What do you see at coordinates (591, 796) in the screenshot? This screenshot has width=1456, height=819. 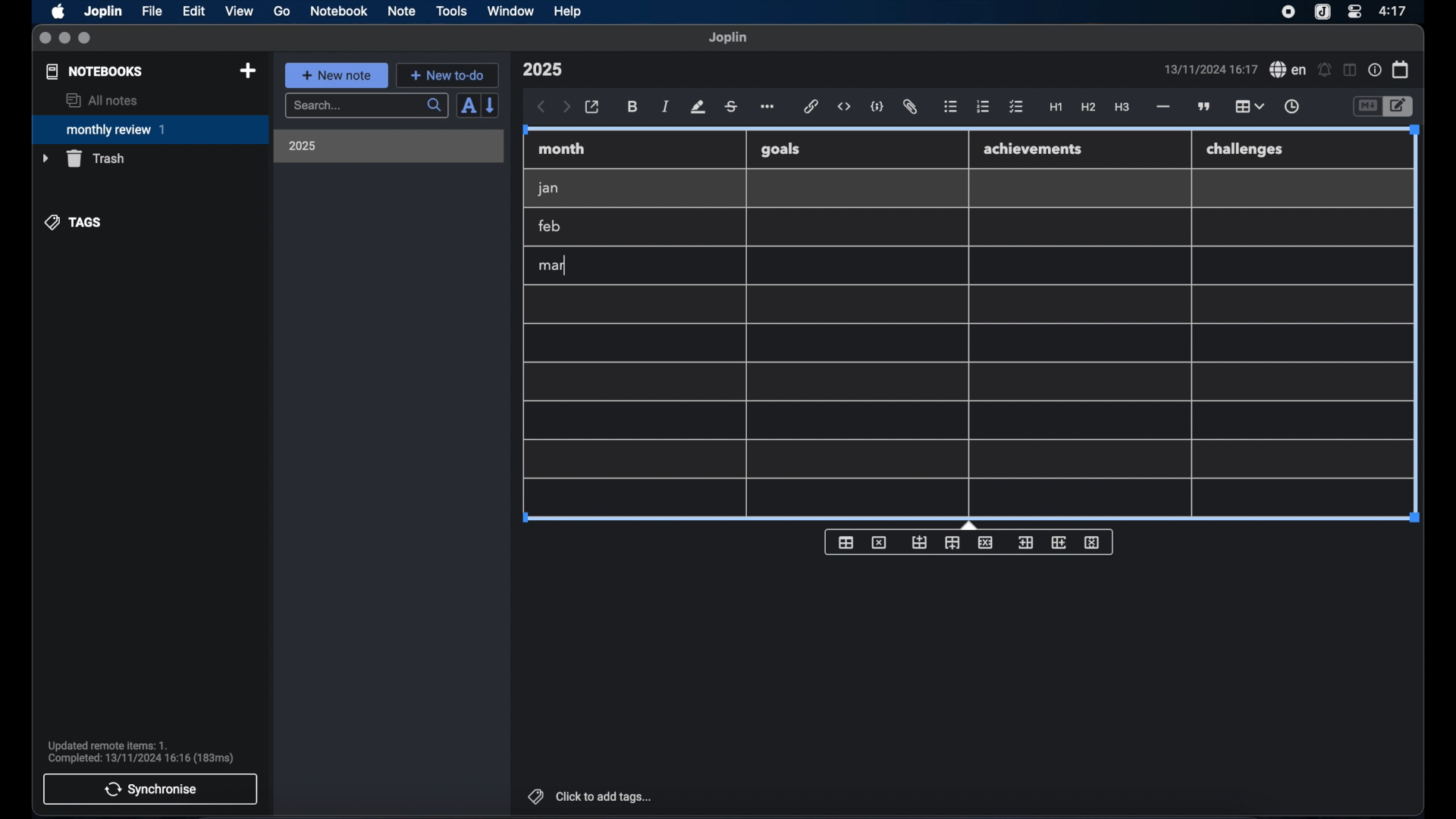 I see `click to add tags` at bounding box center [591, 796].